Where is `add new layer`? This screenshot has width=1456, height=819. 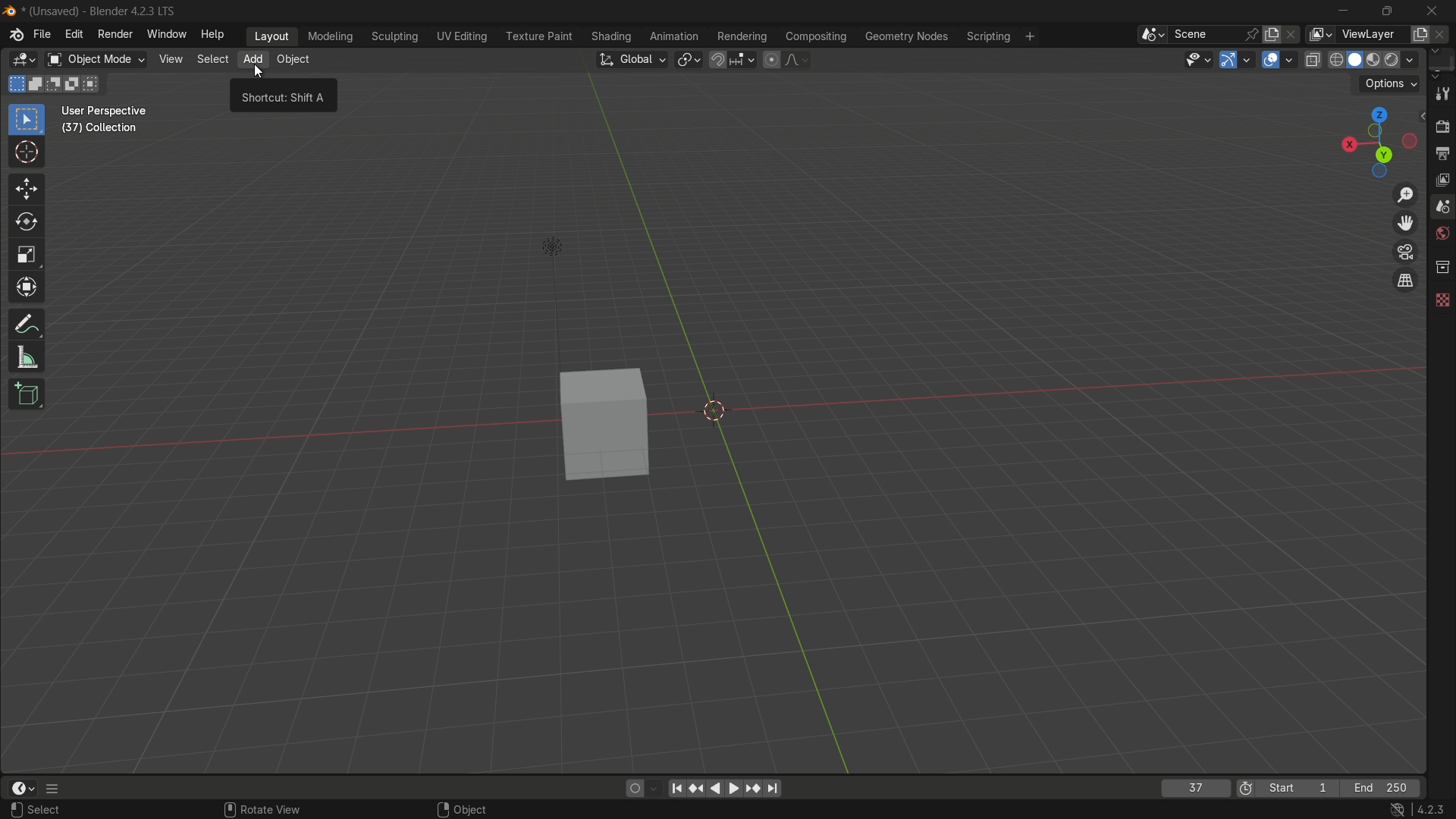
add new layer is located at coordinates (1420, 34).